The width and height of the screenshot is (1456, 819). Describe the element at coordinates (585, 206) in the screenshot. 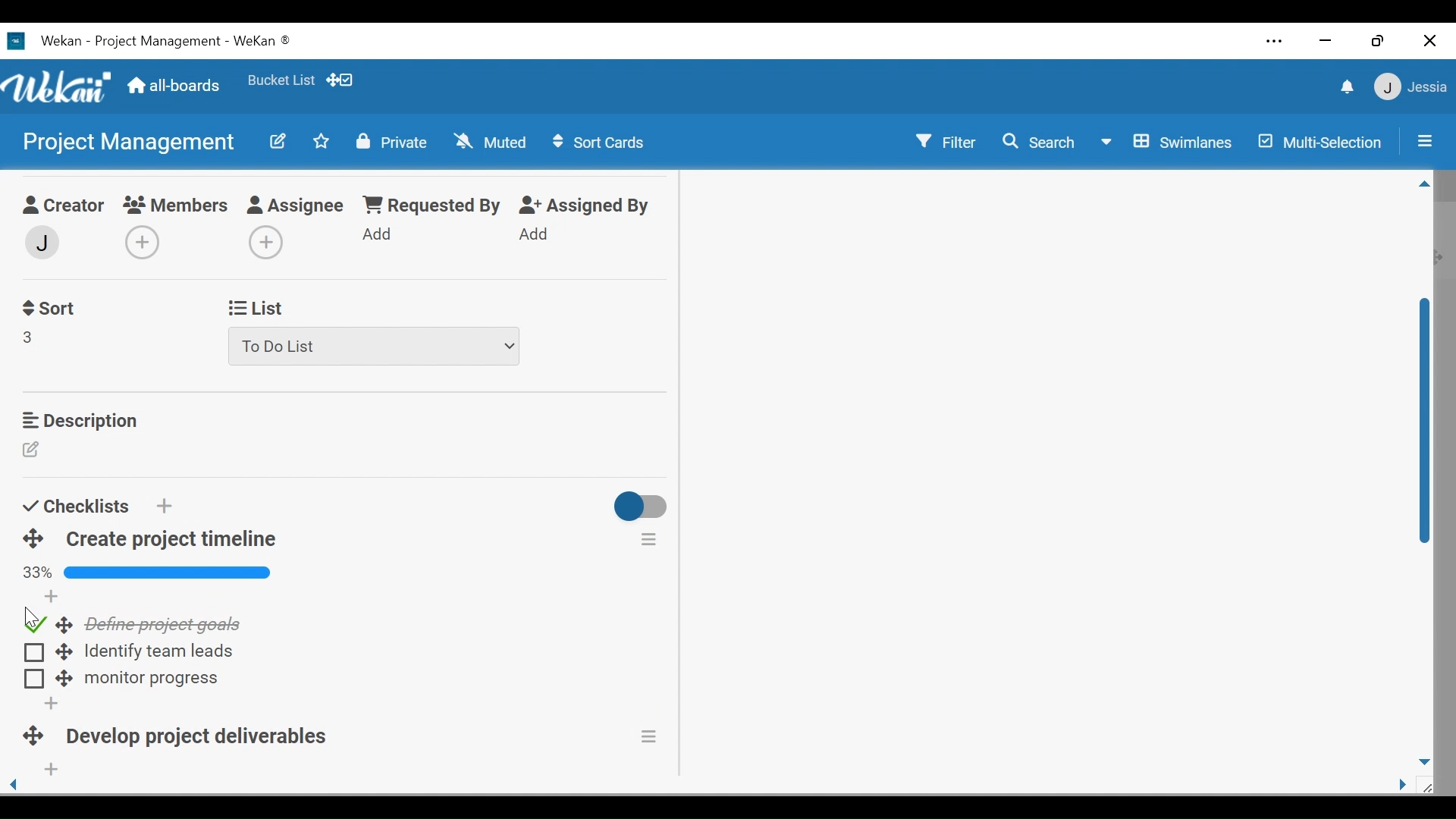

I see `Assigned By` at that location.